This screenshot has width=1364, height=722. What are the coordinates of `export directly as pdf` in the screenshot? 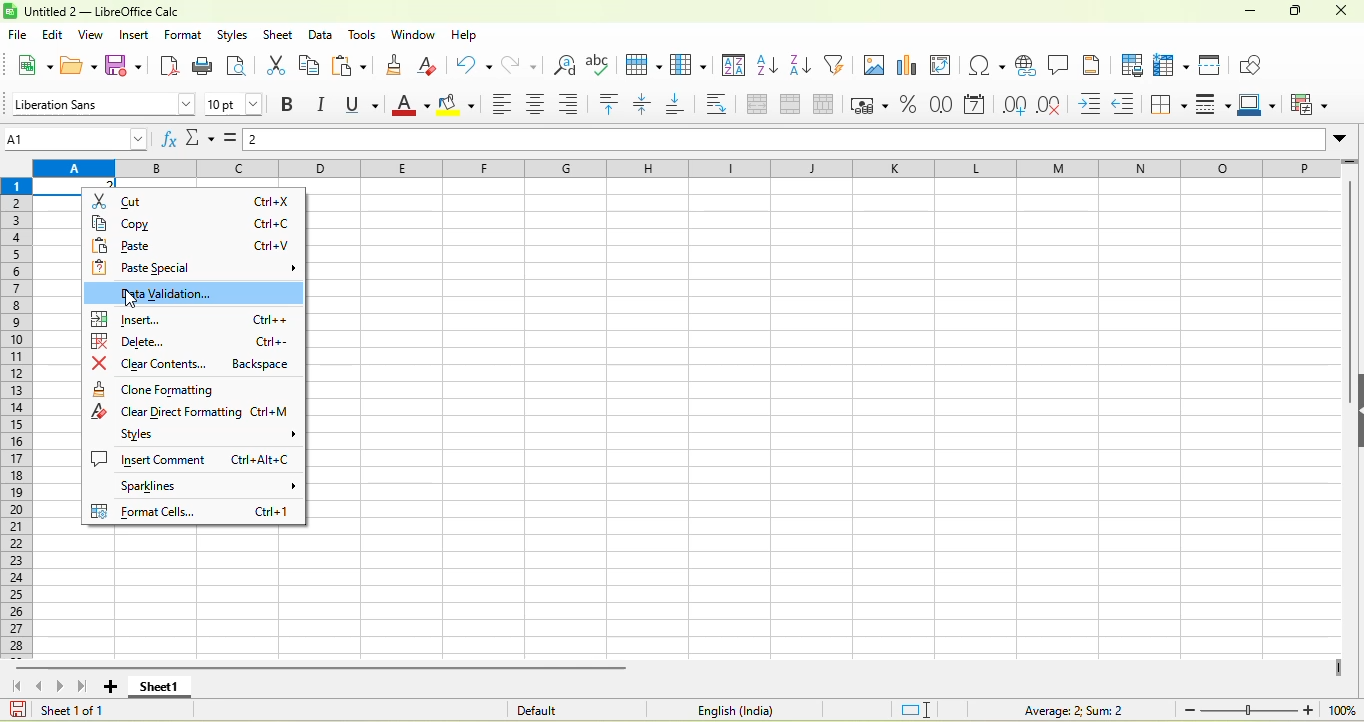 It's located at (174, 67).